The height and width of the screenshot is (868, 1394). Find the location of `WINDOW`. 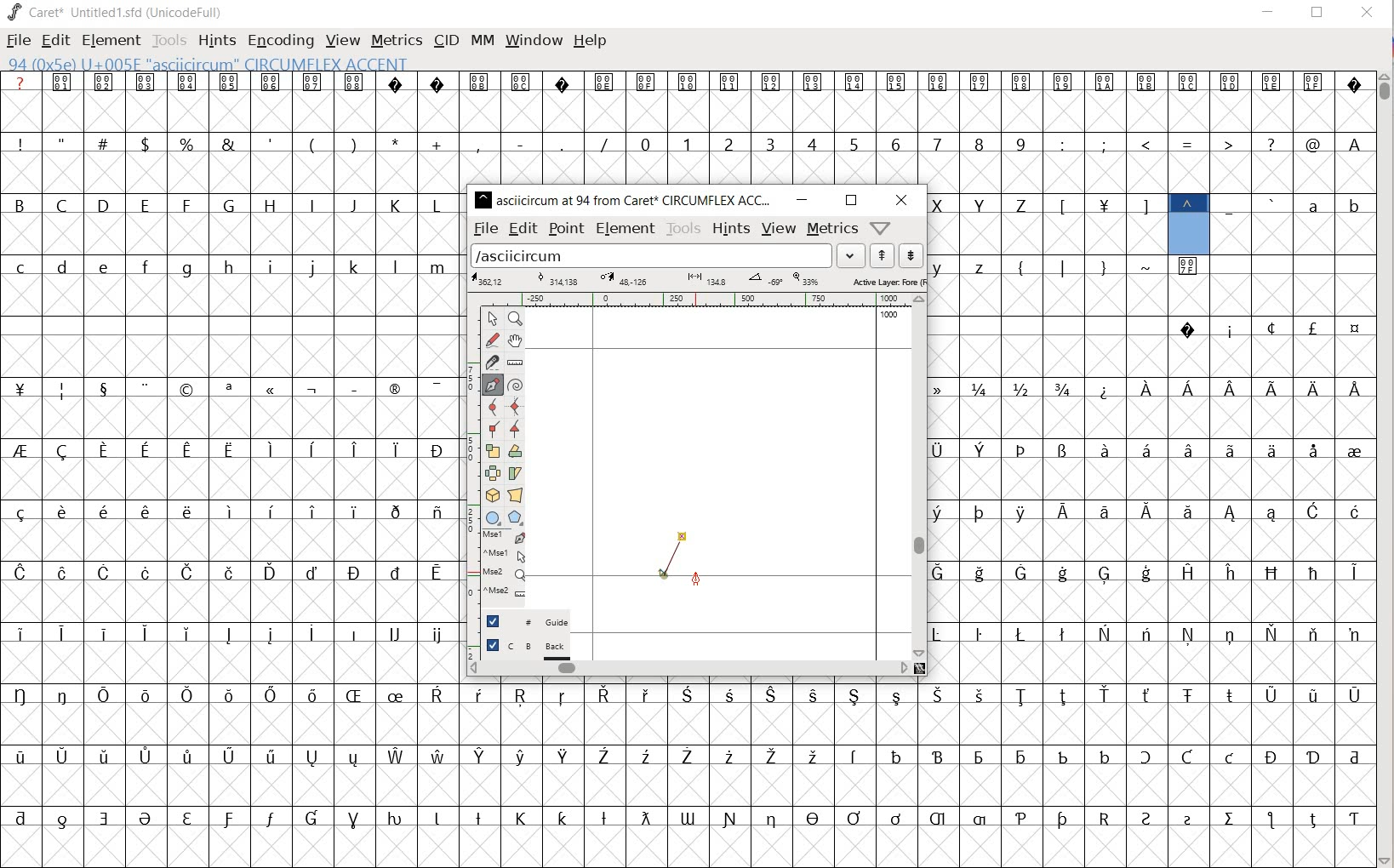

WINDOW is located at coordinates (532, 39).